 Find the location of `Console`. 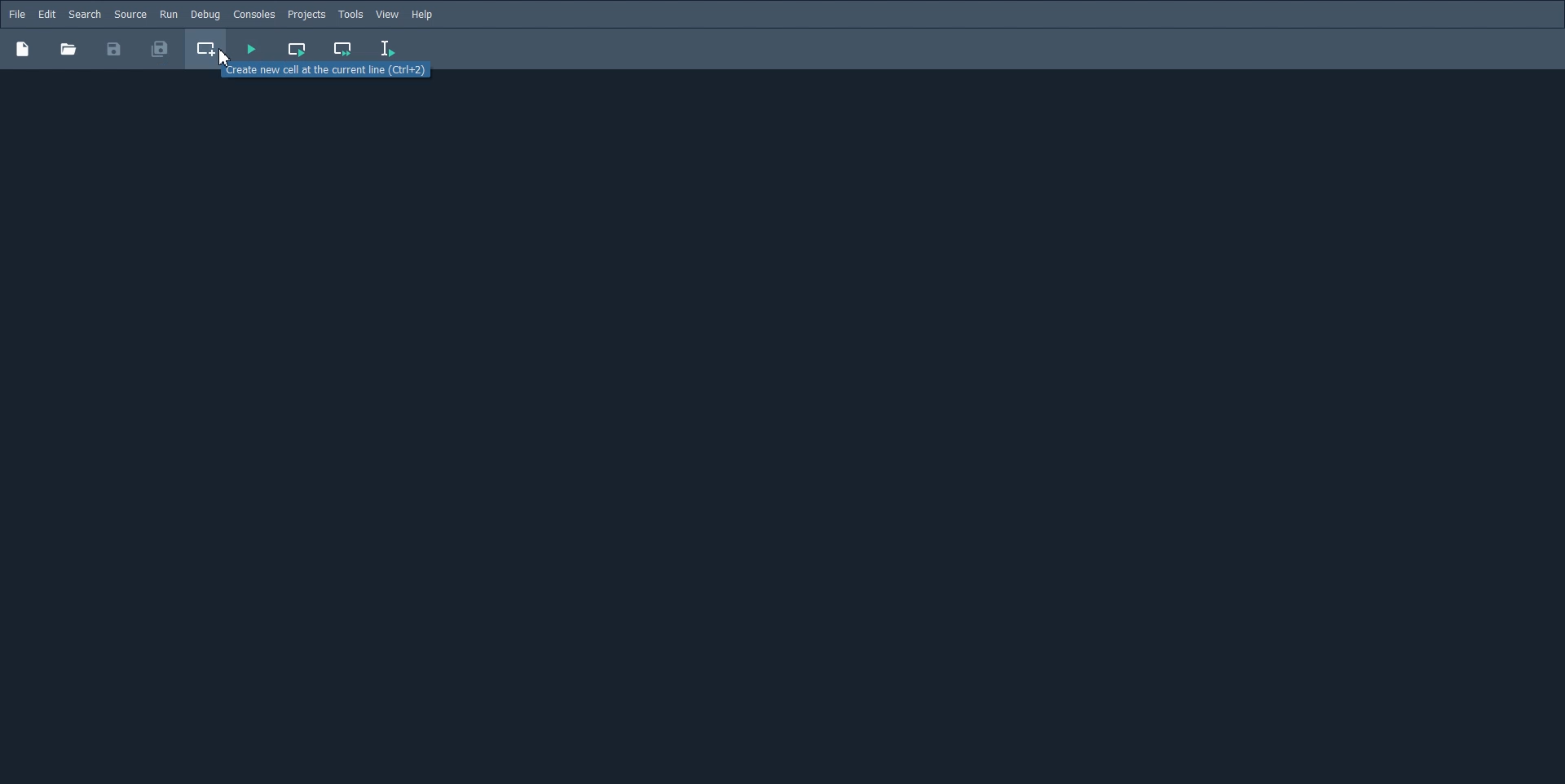

Console is located at coordinates (253, 15).